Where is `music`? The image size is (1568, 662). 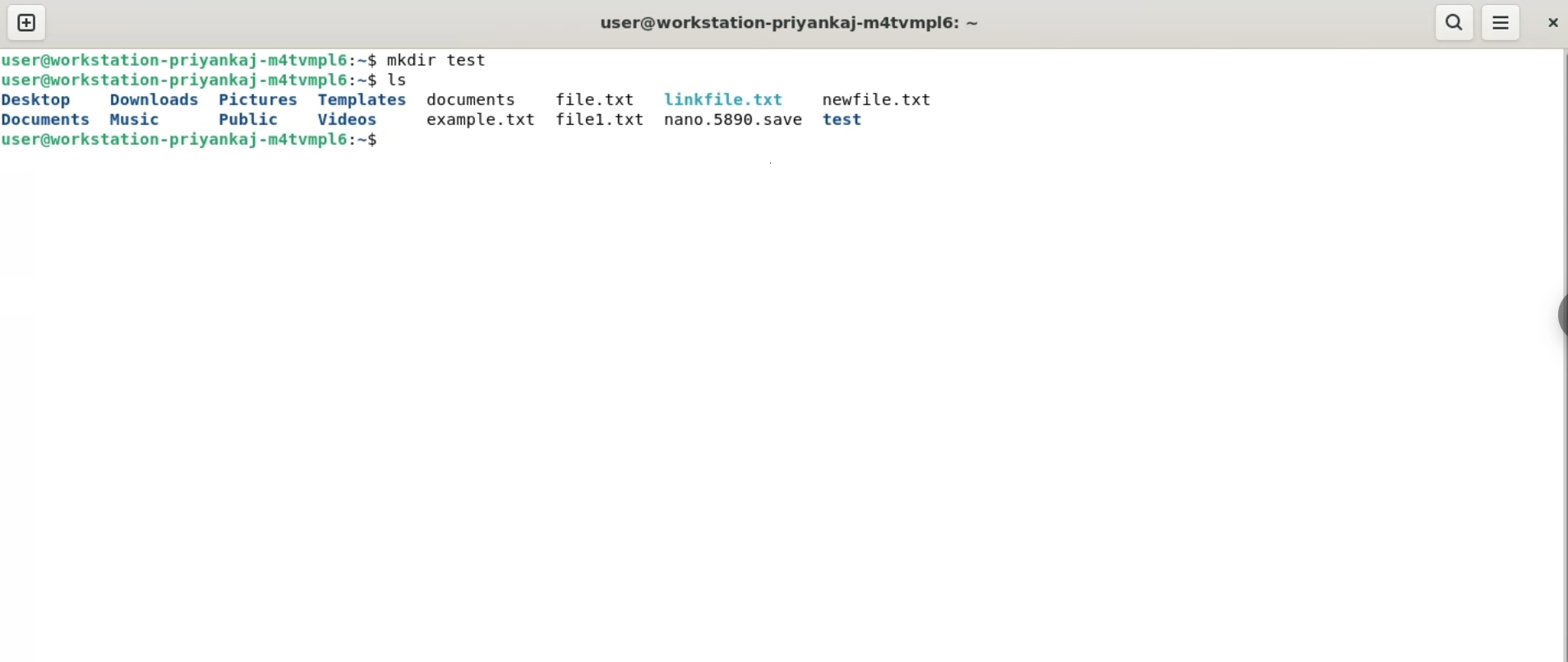 music is located at coordinates (136, 120).